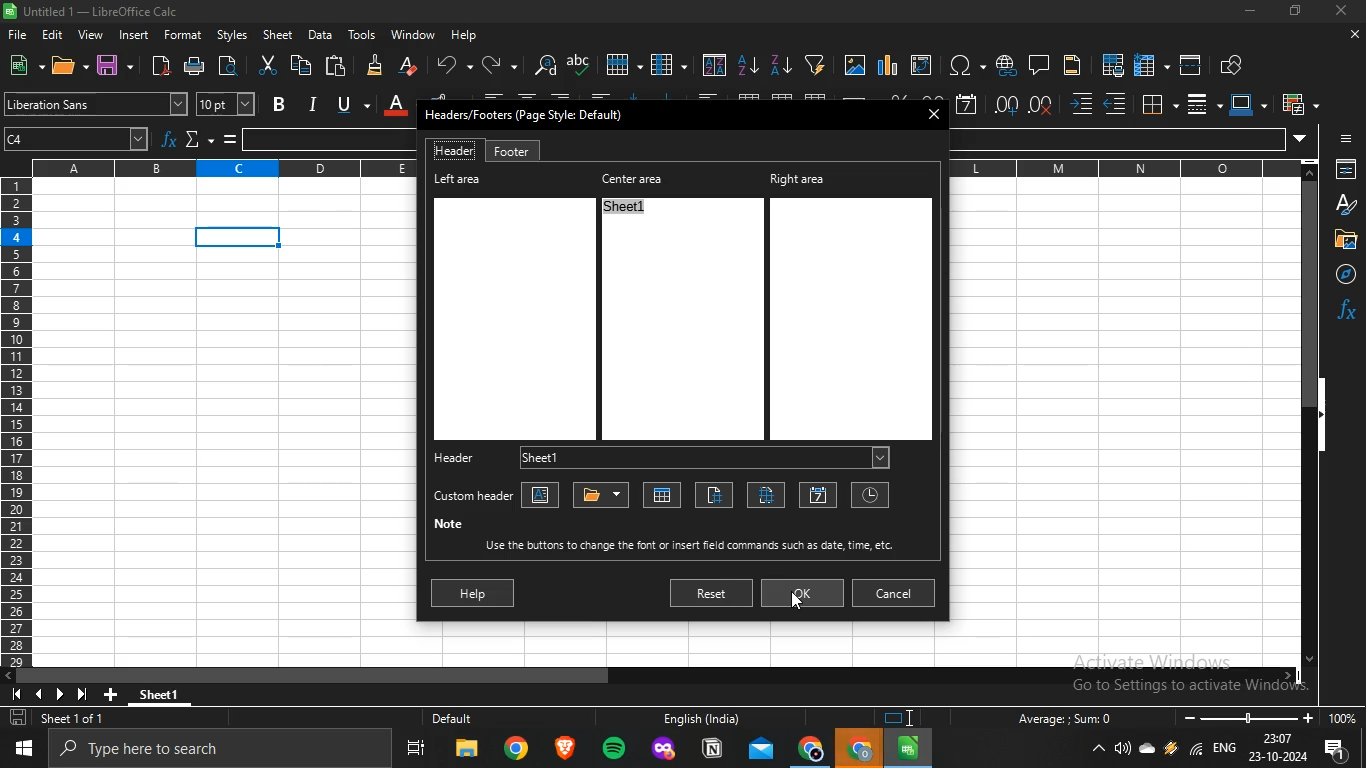 The height and width of the screenshot is (768, 1366). What do you see at coordinates (710, 594) in the screenshot?
I see `reset` at bounding box center [710, 594].